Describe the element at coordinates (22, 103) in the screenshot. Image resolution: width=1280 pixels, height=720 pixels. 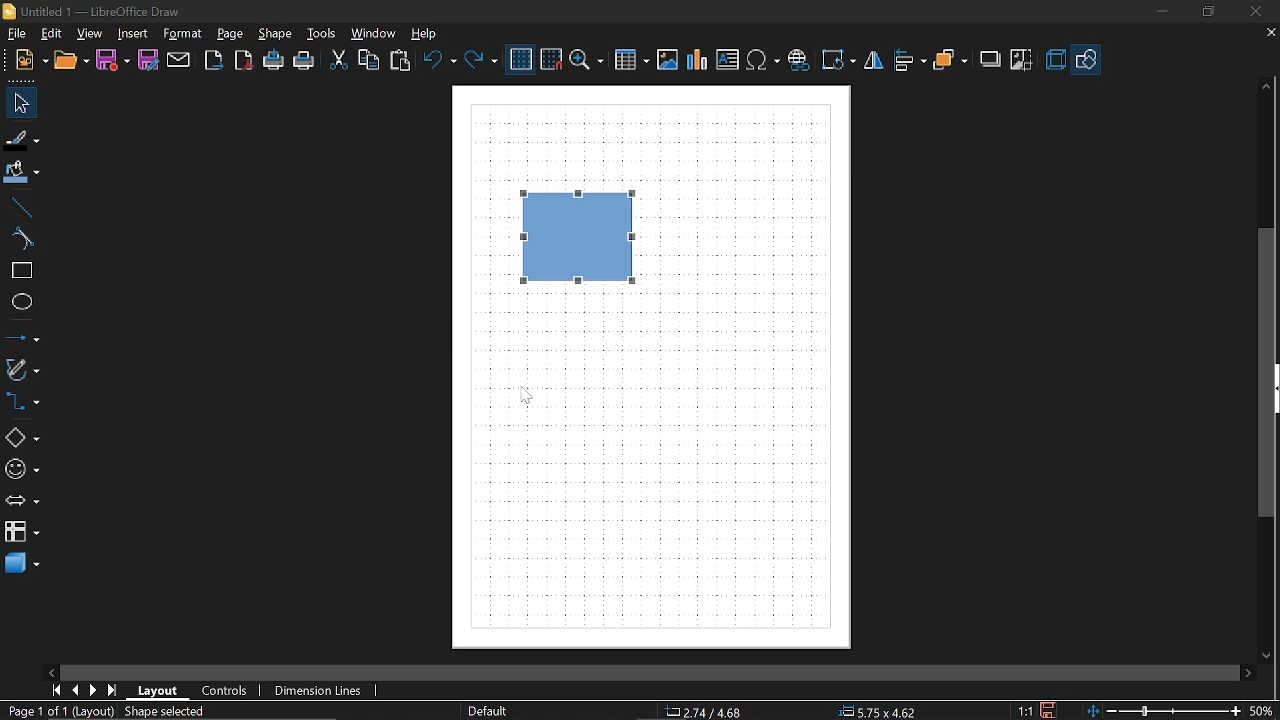
I see `Select` at that location.